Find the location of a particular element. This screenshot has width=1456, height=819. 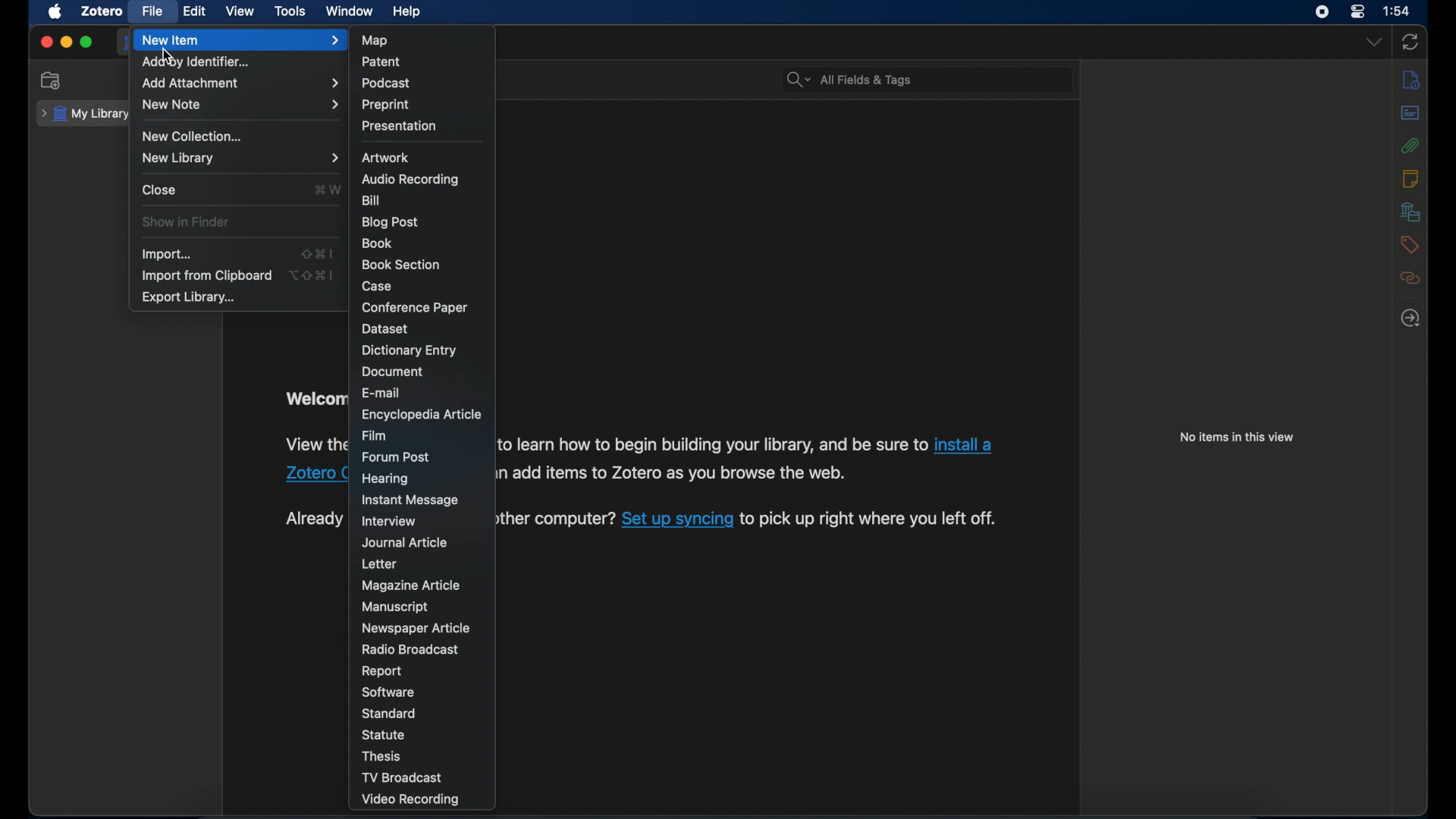

import is located at coordinates (168, 253).